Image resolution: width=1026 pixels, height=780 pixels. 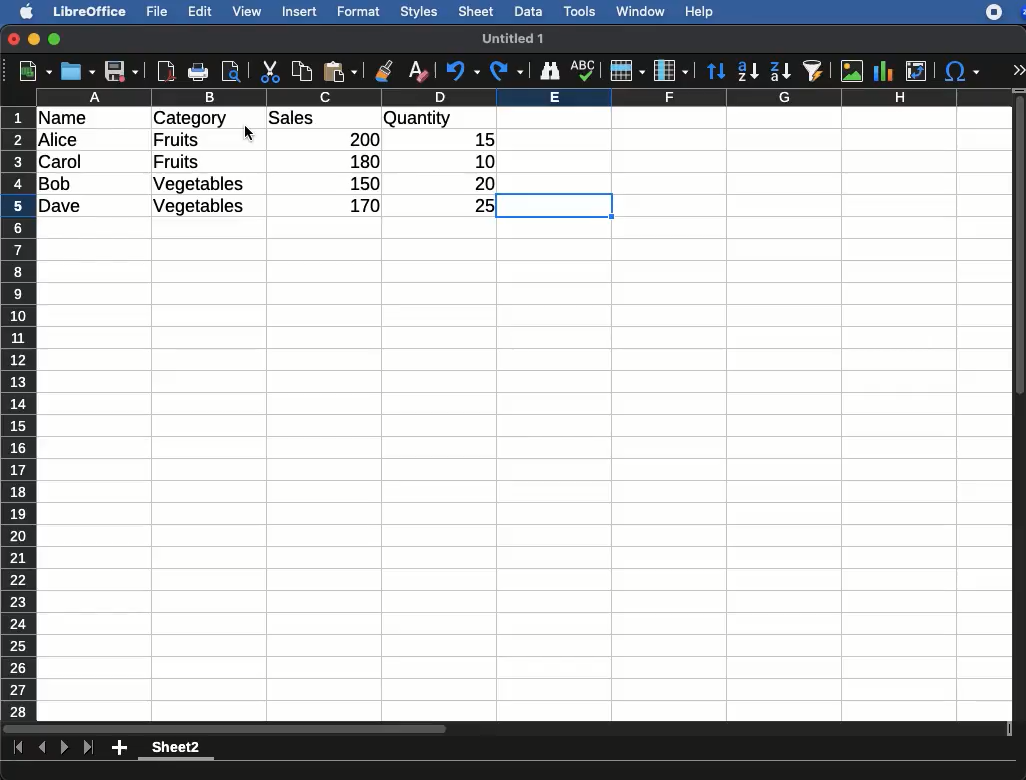 I want to click on sheet, so click(x=477, y=11).